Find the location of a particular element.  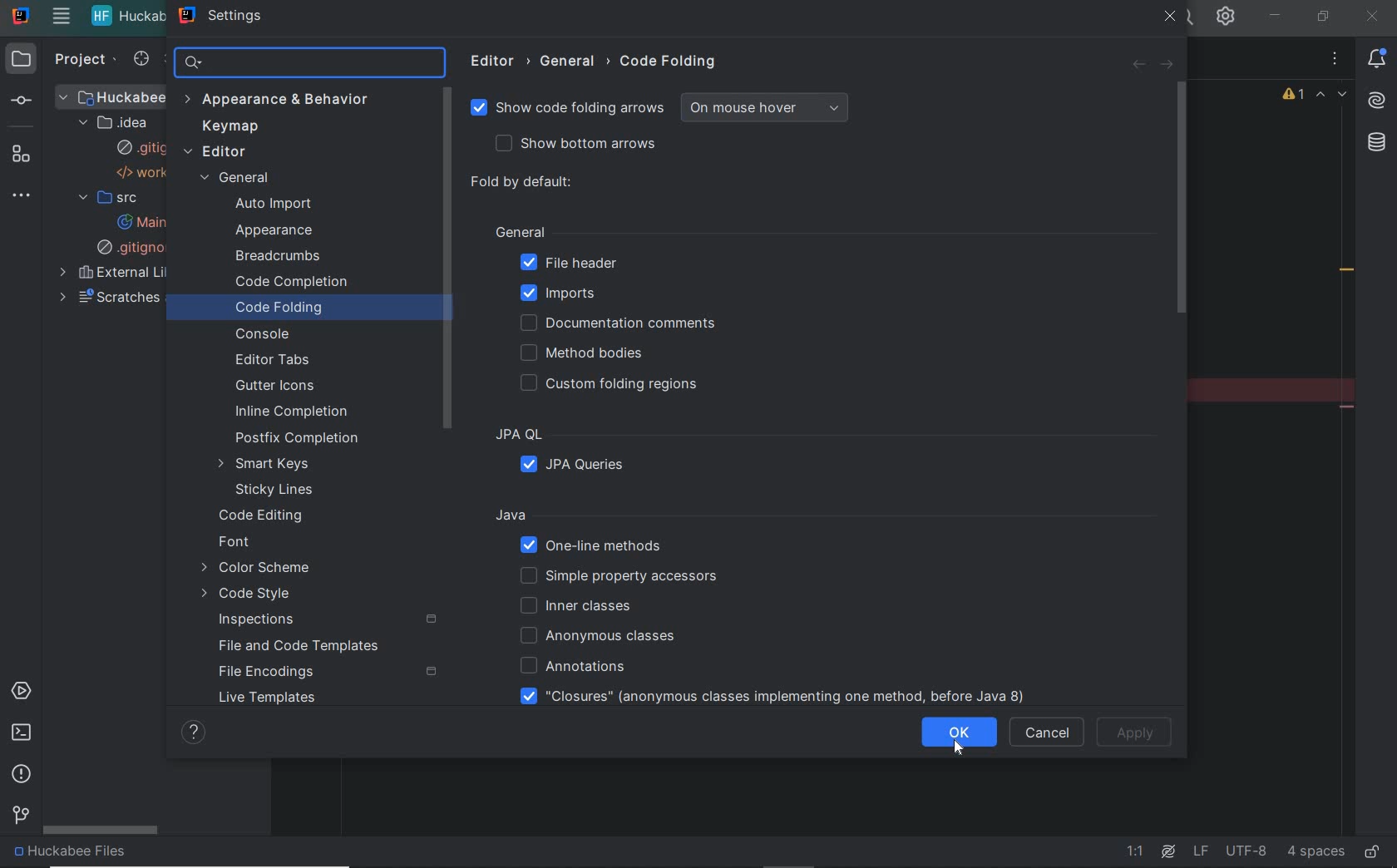

close is located at coordinates (1172, 17).